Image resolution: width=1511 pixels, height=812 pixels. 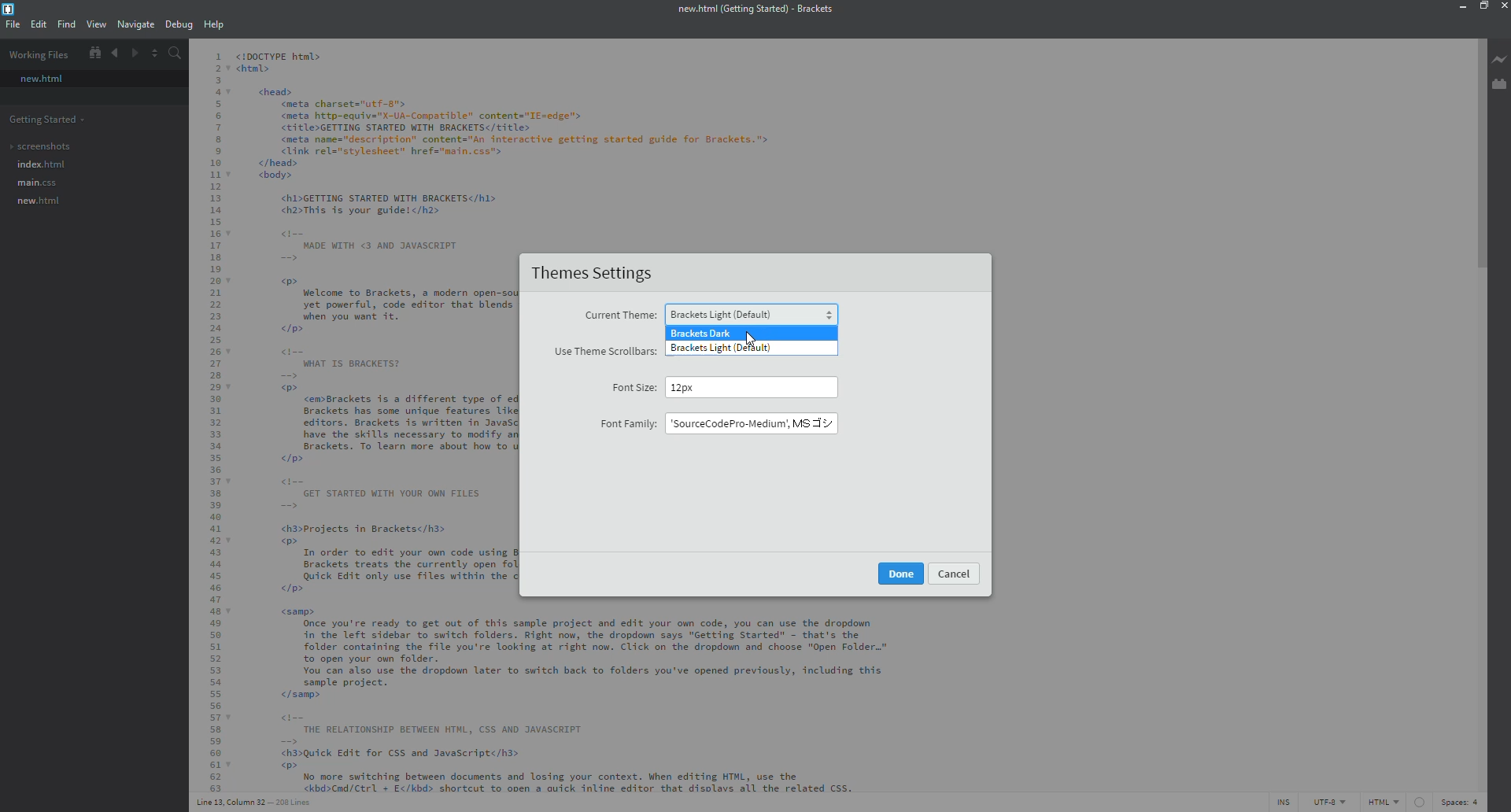 What do you see at coordinates (41, 54) in the screenshot?
I see `working files` at bounding box center [41, 54].